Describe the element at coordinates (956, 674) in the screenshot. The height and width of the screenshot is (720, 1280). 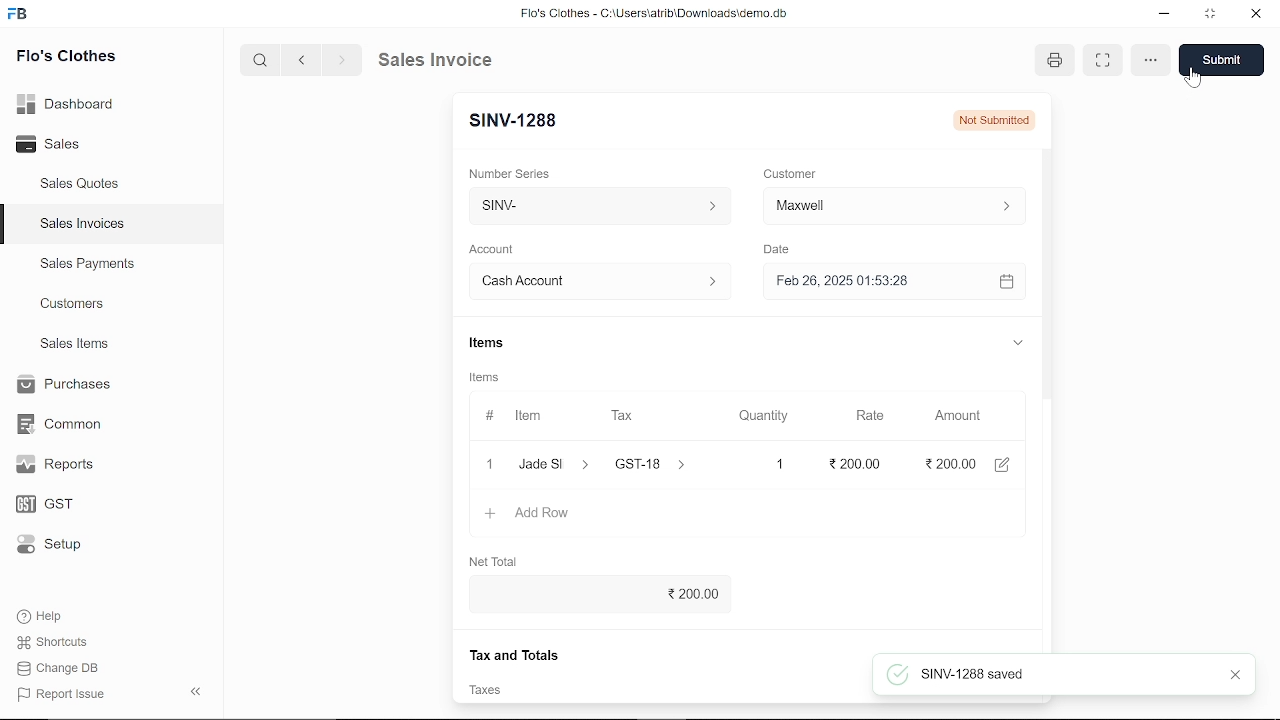
I see `SINV-1288 saved` at that location.